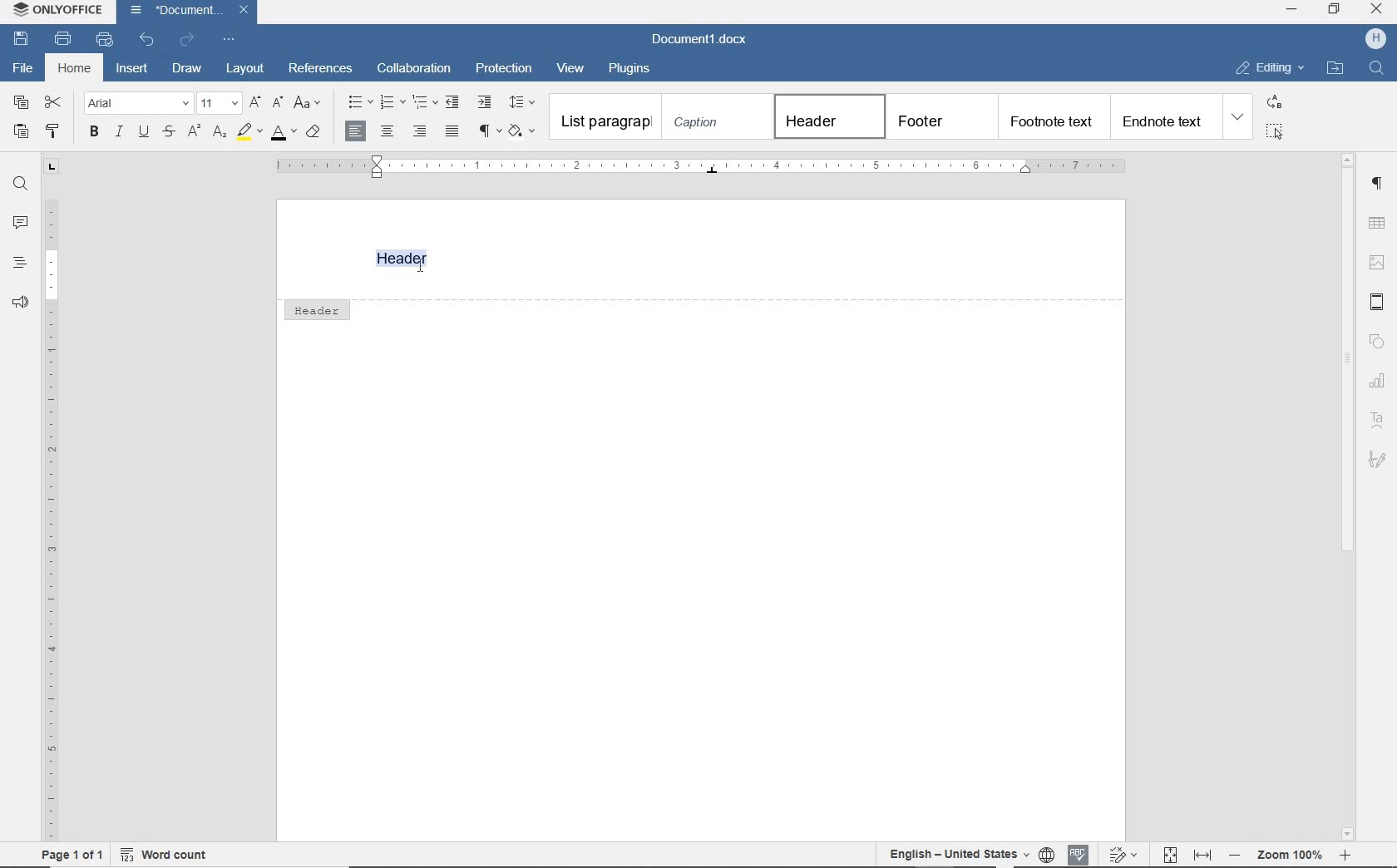  Describe the element at coordinates (524, 131) in the screenshot. I see `shading` at that location.